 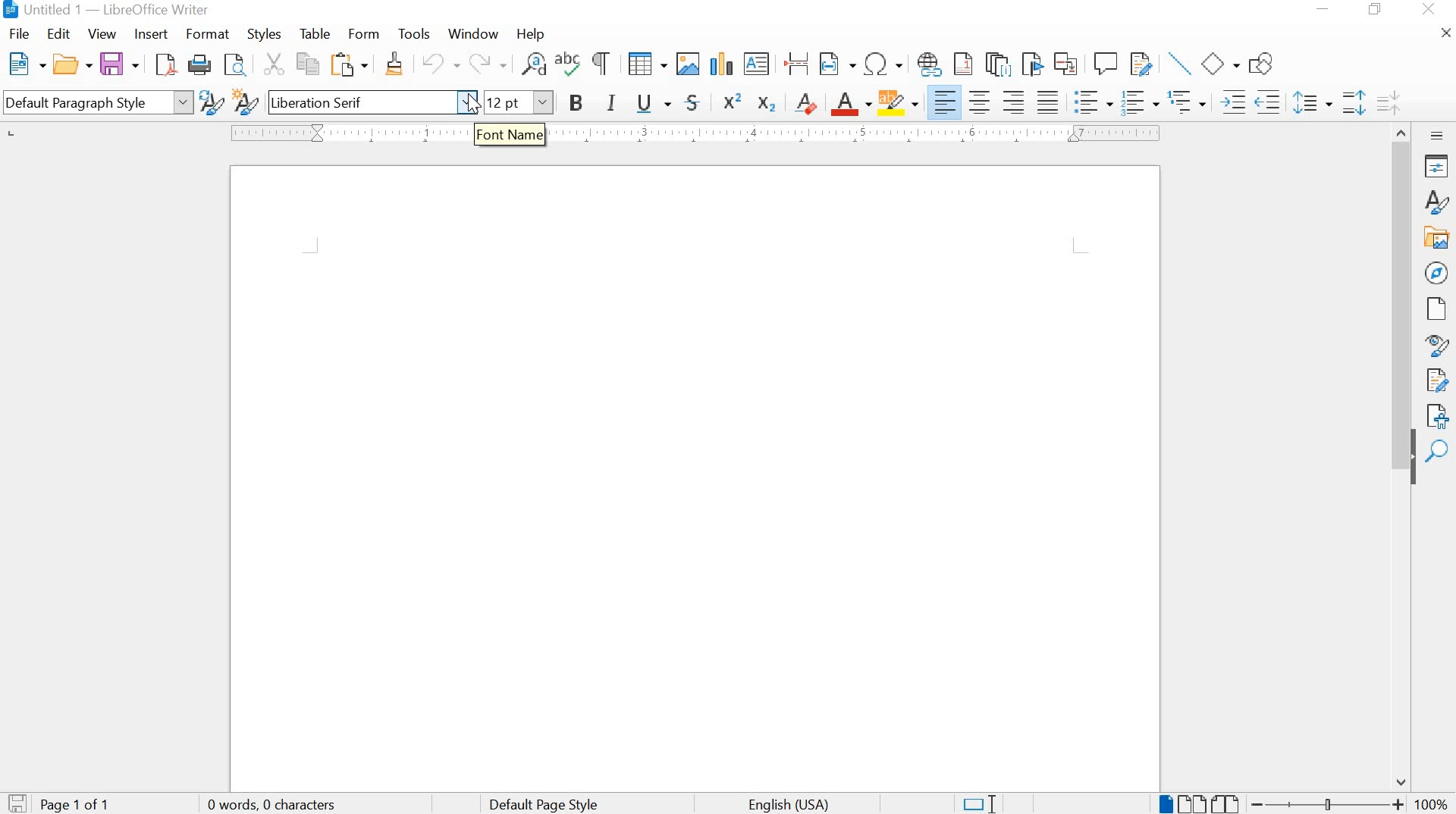 I want to click on INSERT BOOKMARK, so click(x=1033, y=65).